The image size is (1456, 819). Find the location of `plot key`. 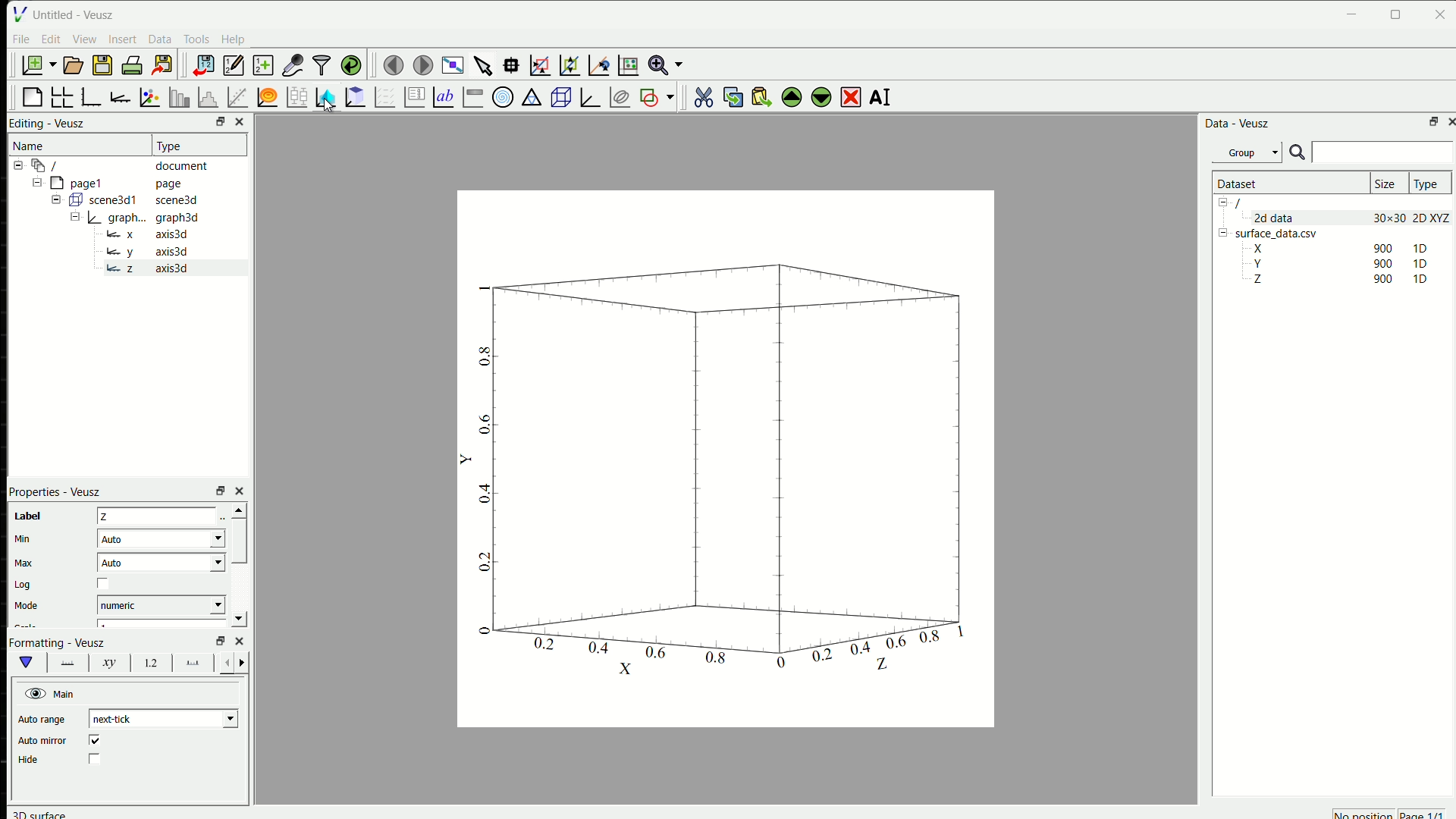

plot key is located at coordinates (416, 97).